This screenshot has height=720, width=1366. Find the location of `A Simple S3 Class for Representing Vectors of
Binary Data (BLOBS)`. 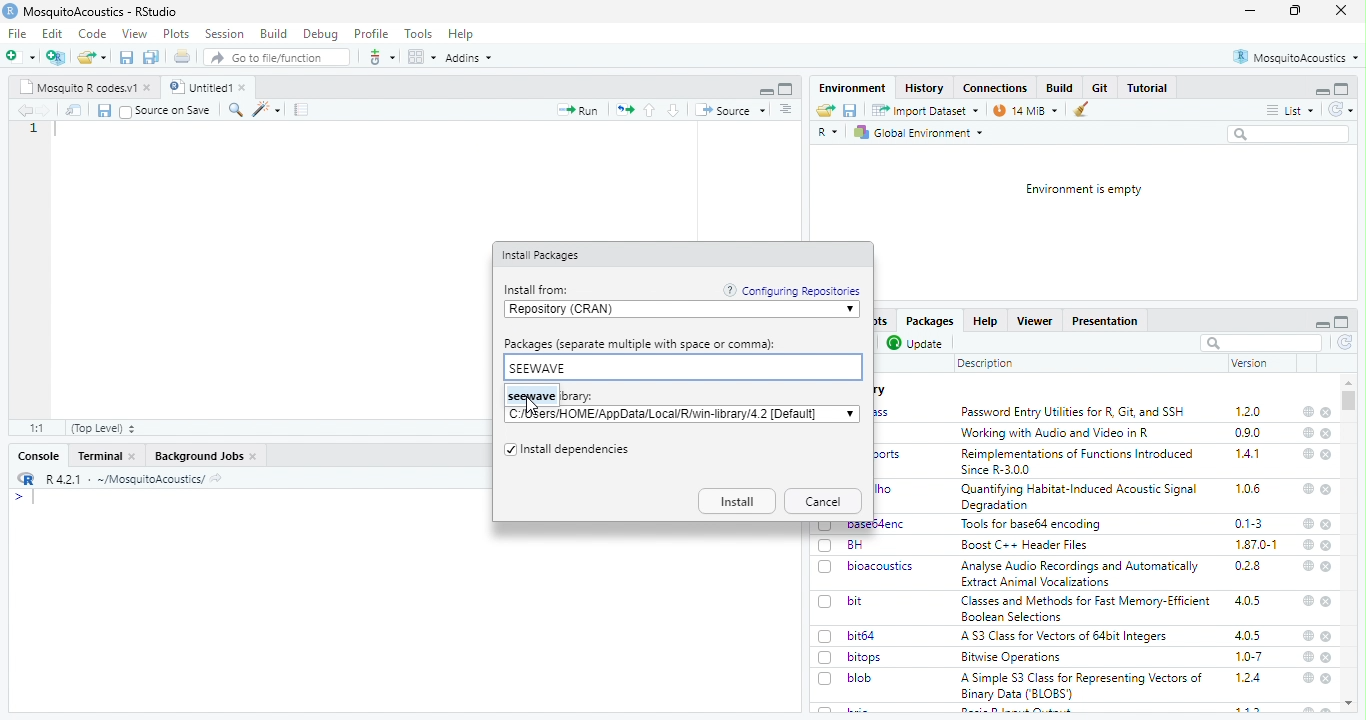

A Simple S3 Class for Representing Vectors of
Binary Data (BLOBS) is located at coordinates (1082, 687).